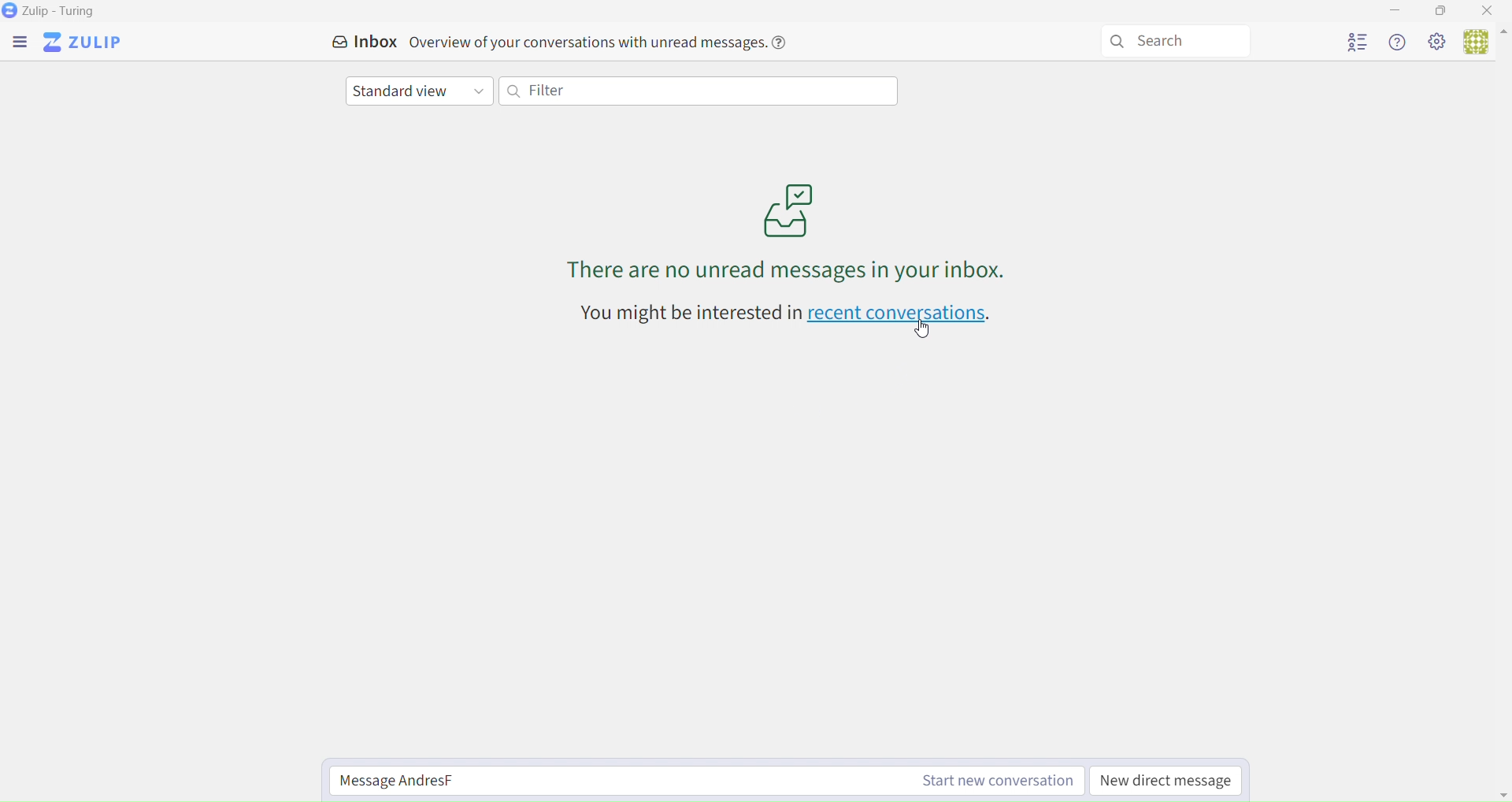 This screenshot has height=802, width=1512. Describe the element at coordinates (1446, 12) in the screenshot. I see `Box` at that location.